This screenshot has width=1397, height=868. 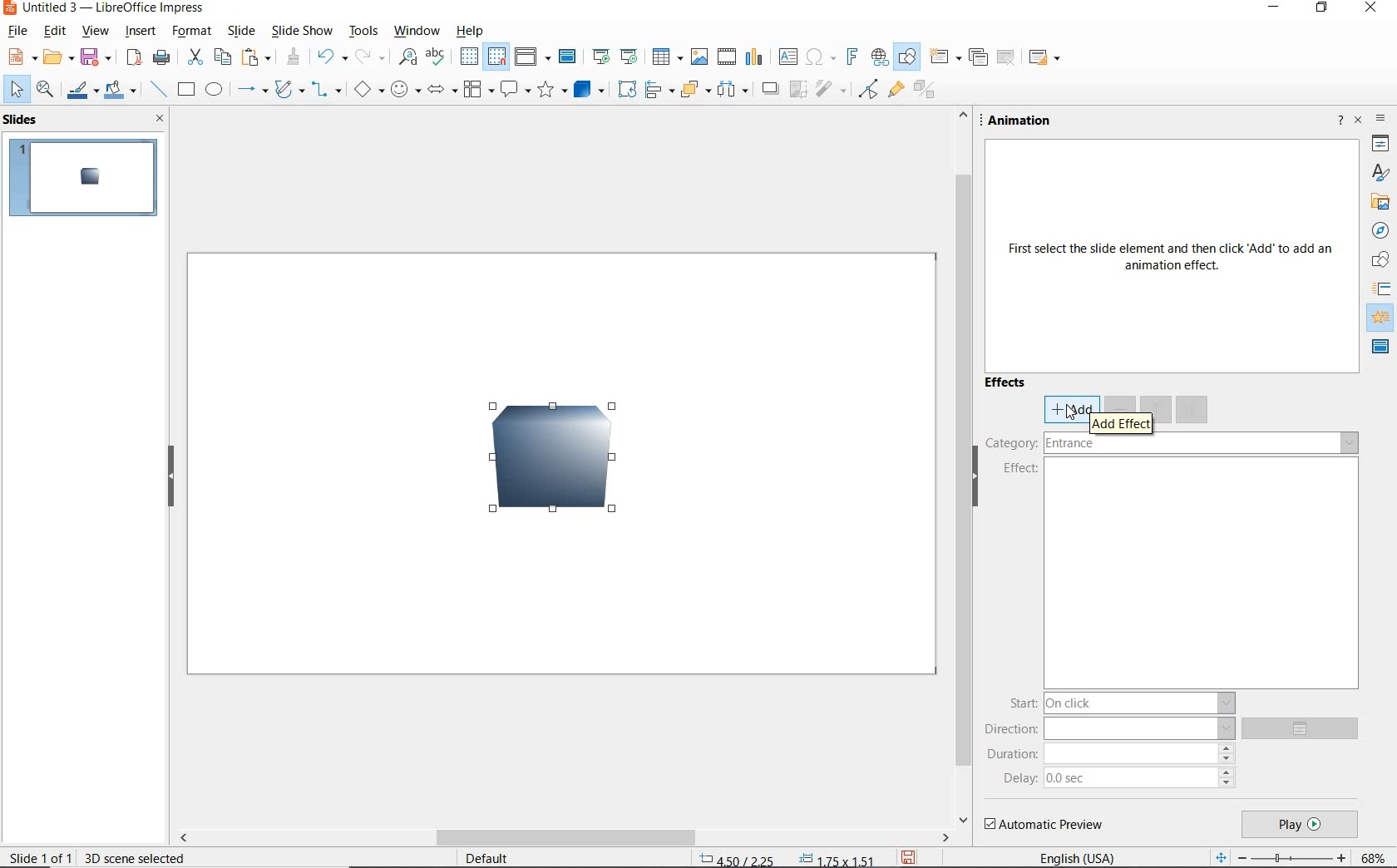 What do you see at coordinates (18, 31) in the screenshot?
I see `file` at bounding box center [18, 31].